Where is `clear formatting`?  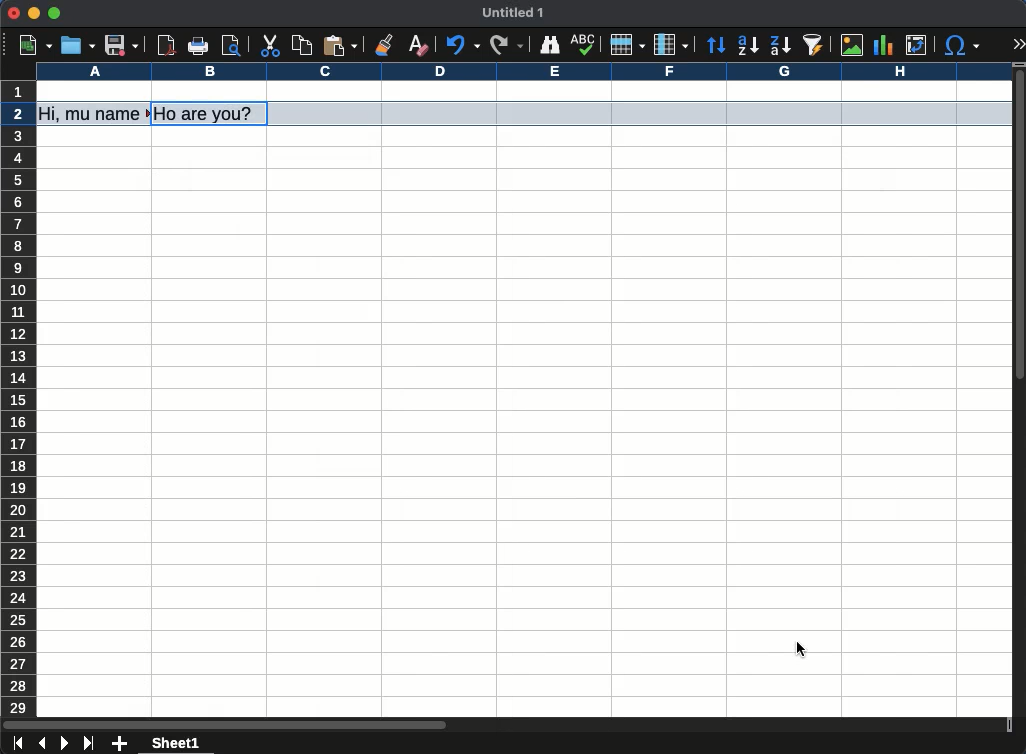
clear formatting is located at coordinates (421, 43).